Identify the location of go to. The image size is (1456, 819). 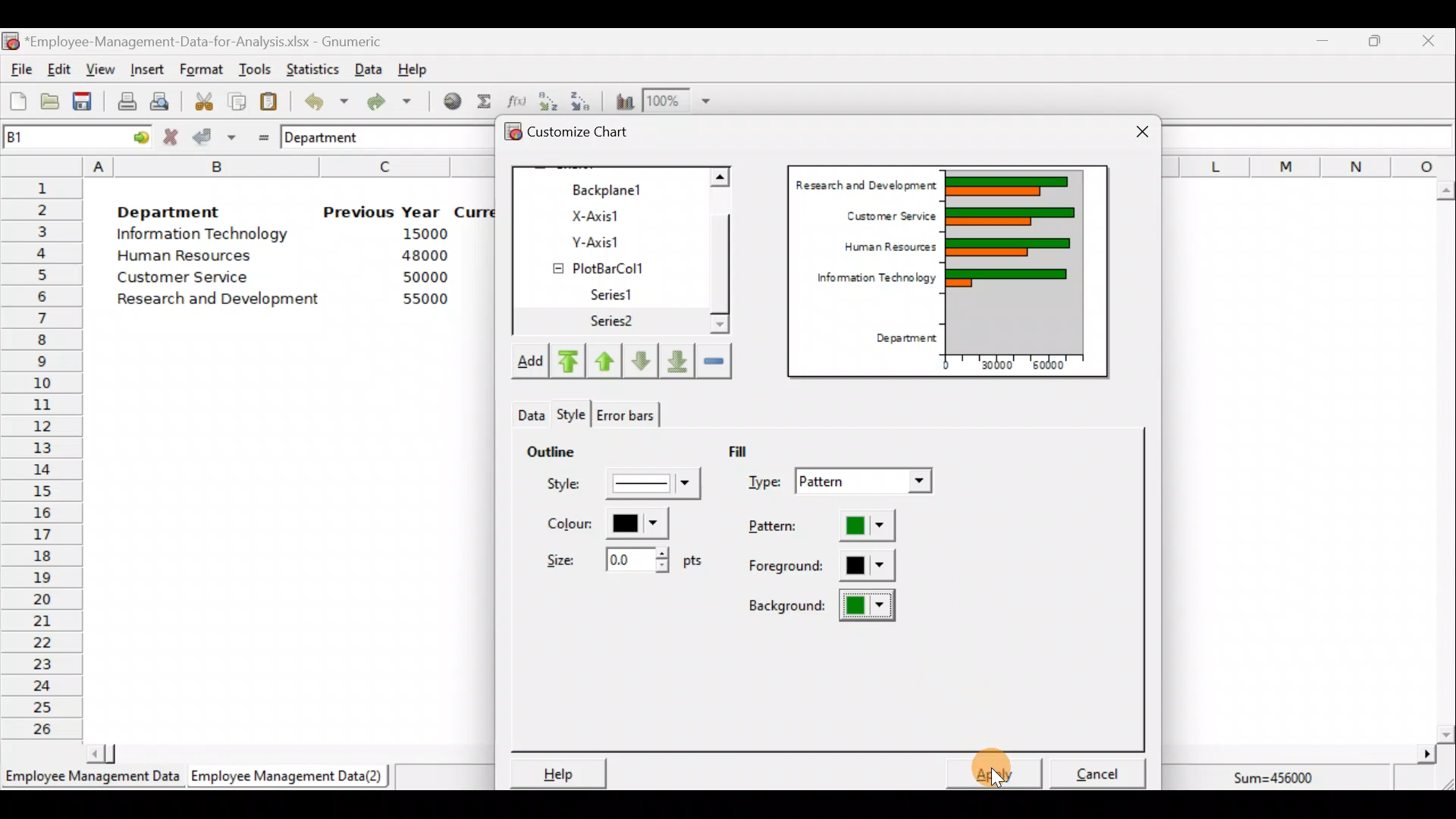
(135, 135).